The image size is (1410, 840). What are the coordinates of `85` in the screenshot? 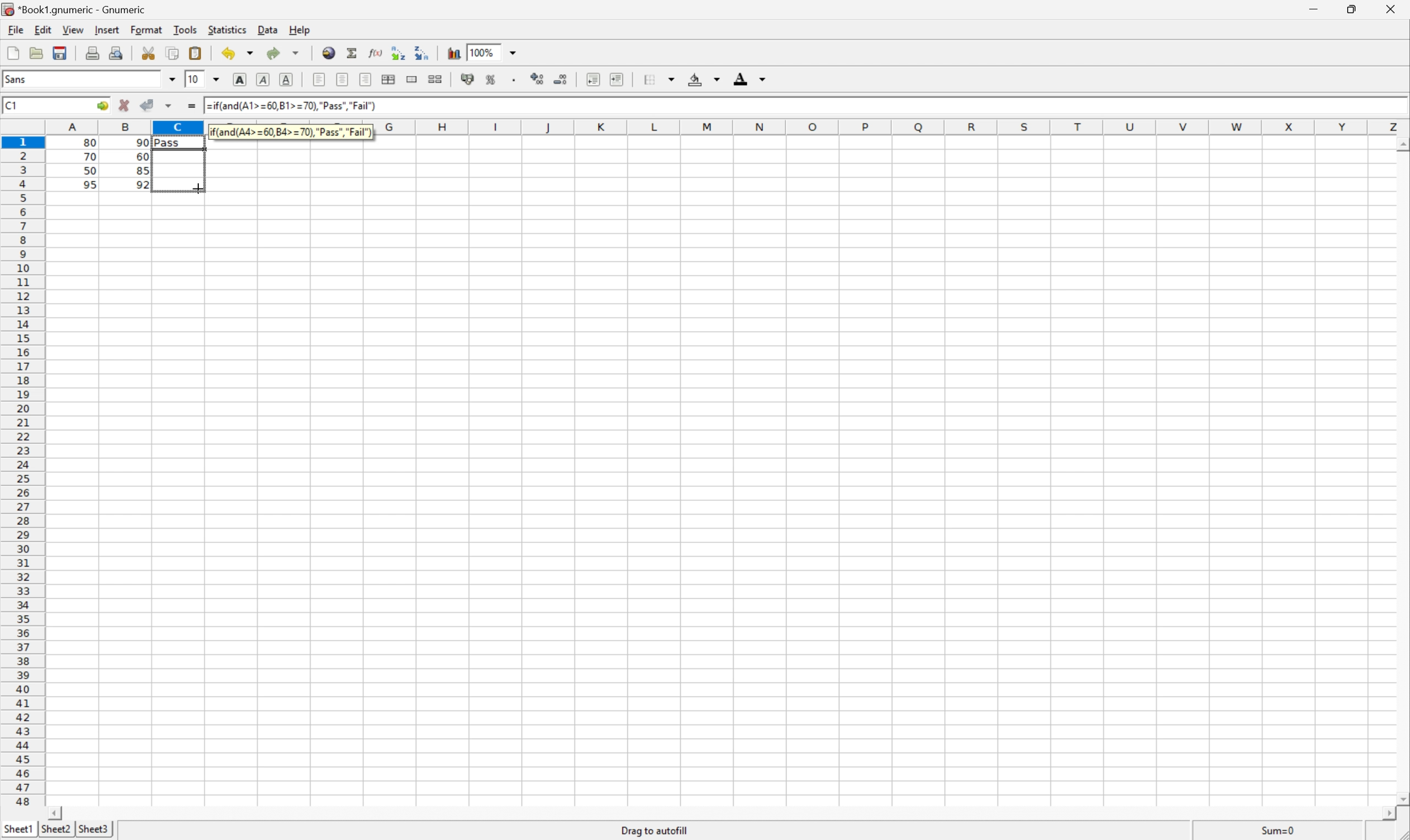 It's located at (142, 172).